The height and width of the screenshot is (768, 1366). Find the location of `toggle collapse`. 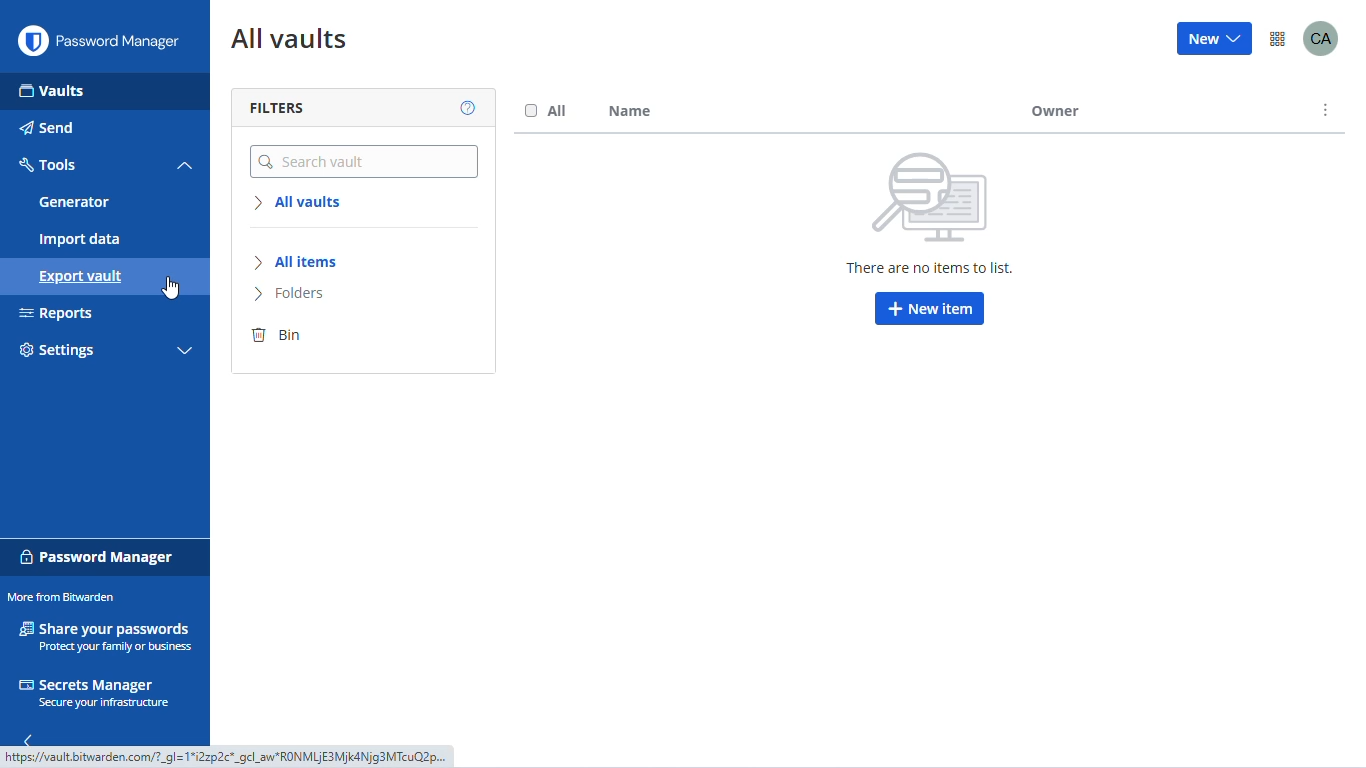

toggle collapse is located at coordinates (185, 352).